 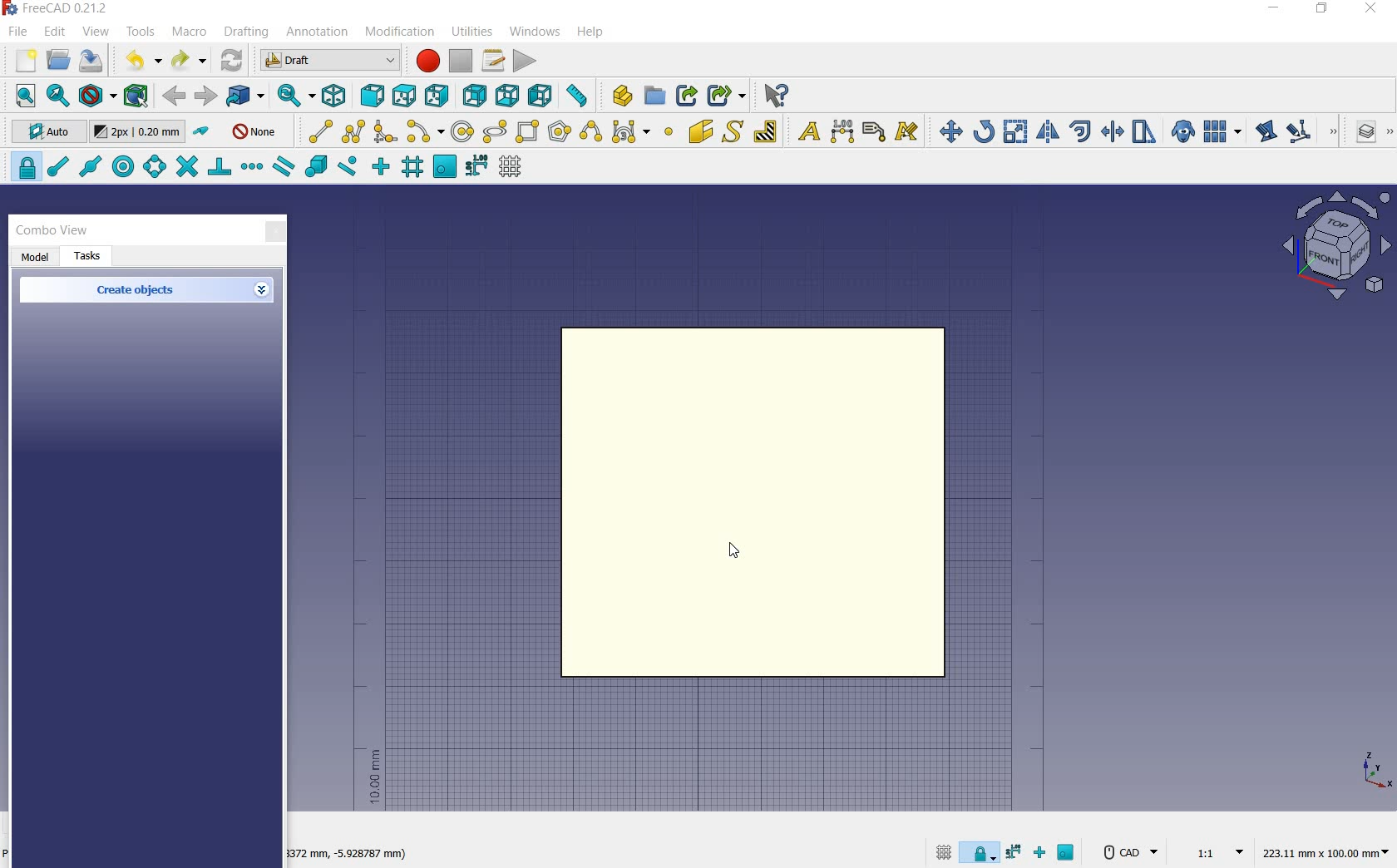 I want to click on create a clone, so click(x=1181, y=133).